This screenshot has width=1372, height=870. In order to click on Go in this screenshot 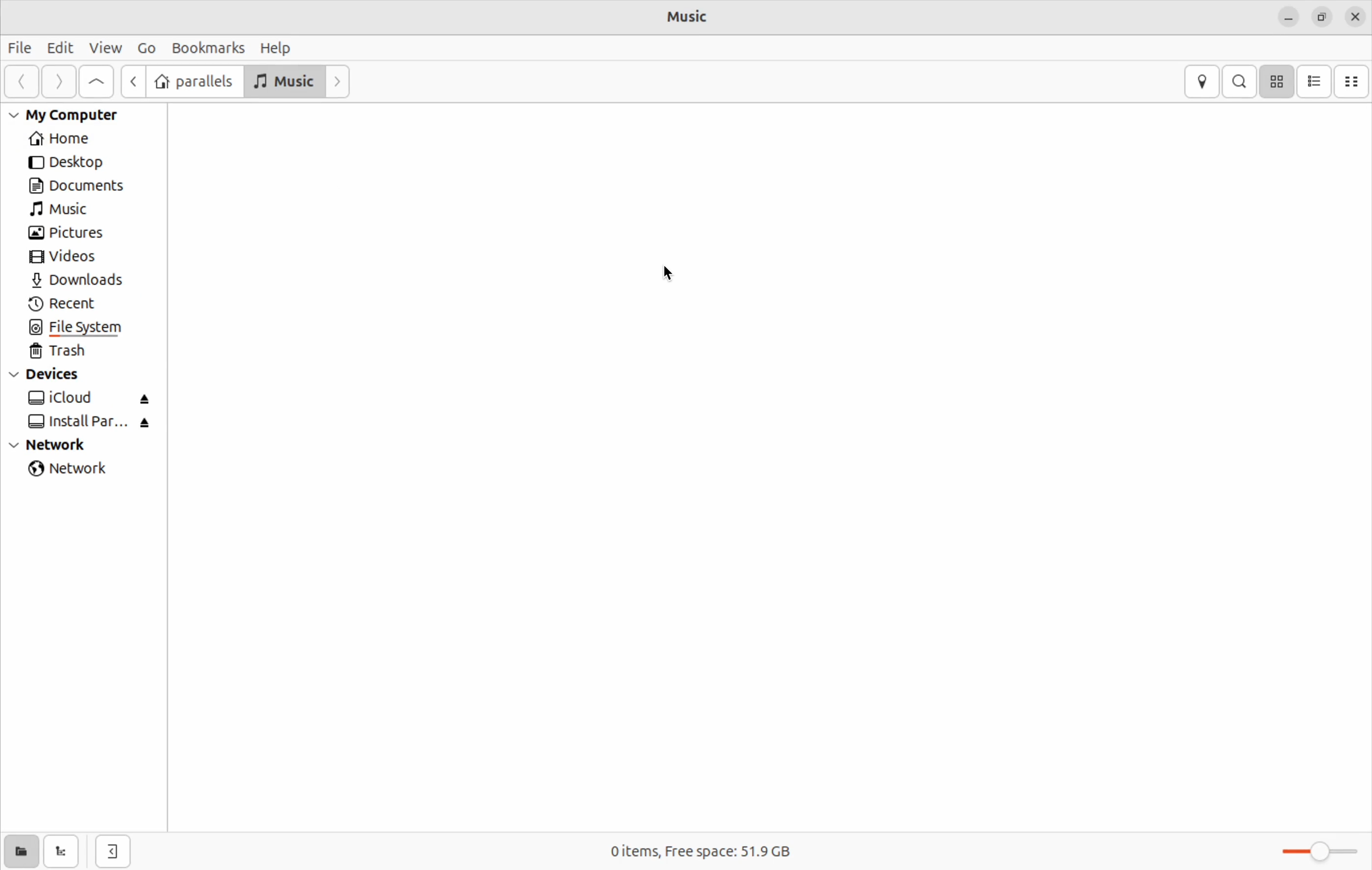, I will do `click(145, 48)`.